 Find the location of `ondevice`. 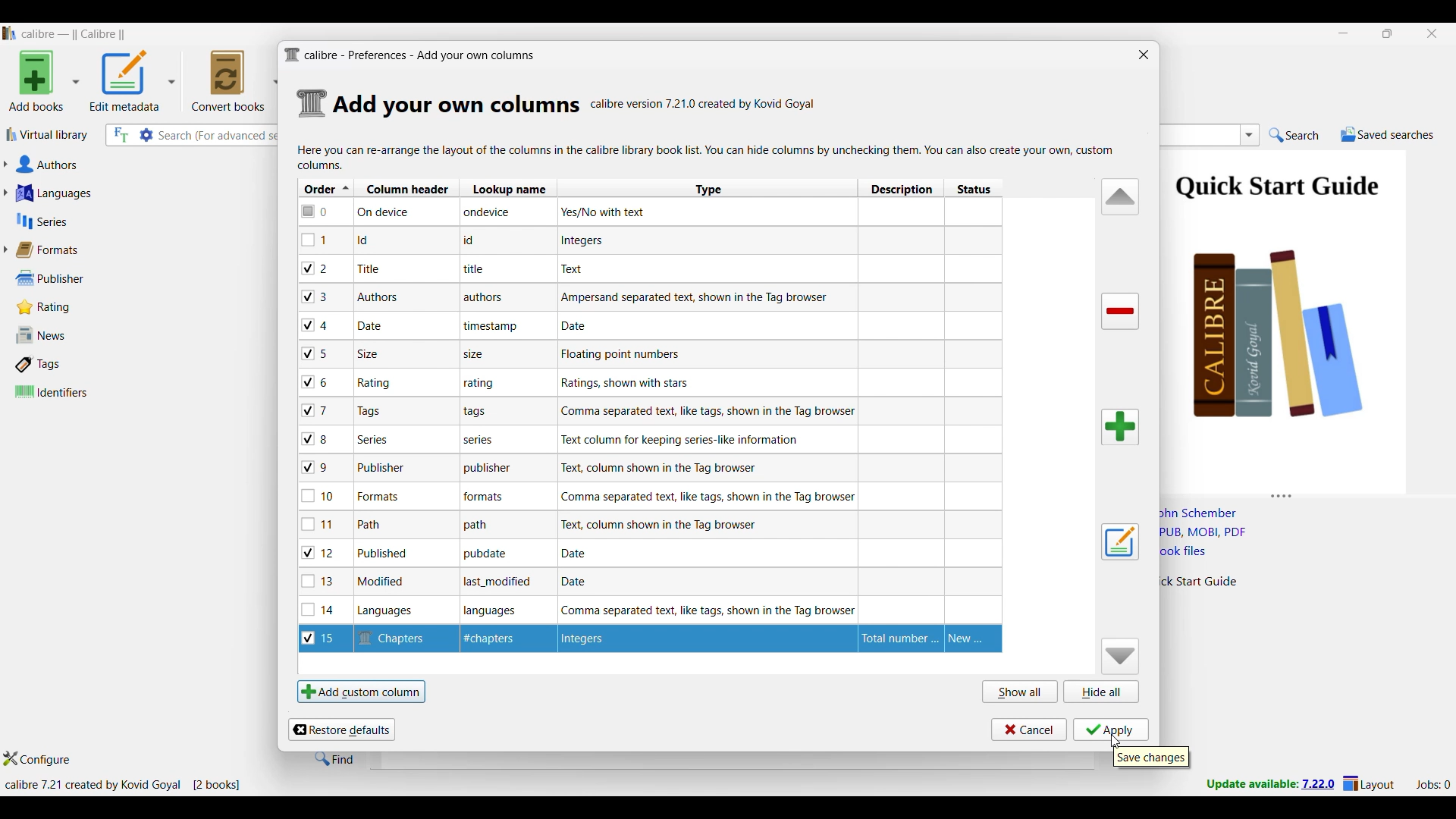

ondevice is located at coordinates (497, 215).